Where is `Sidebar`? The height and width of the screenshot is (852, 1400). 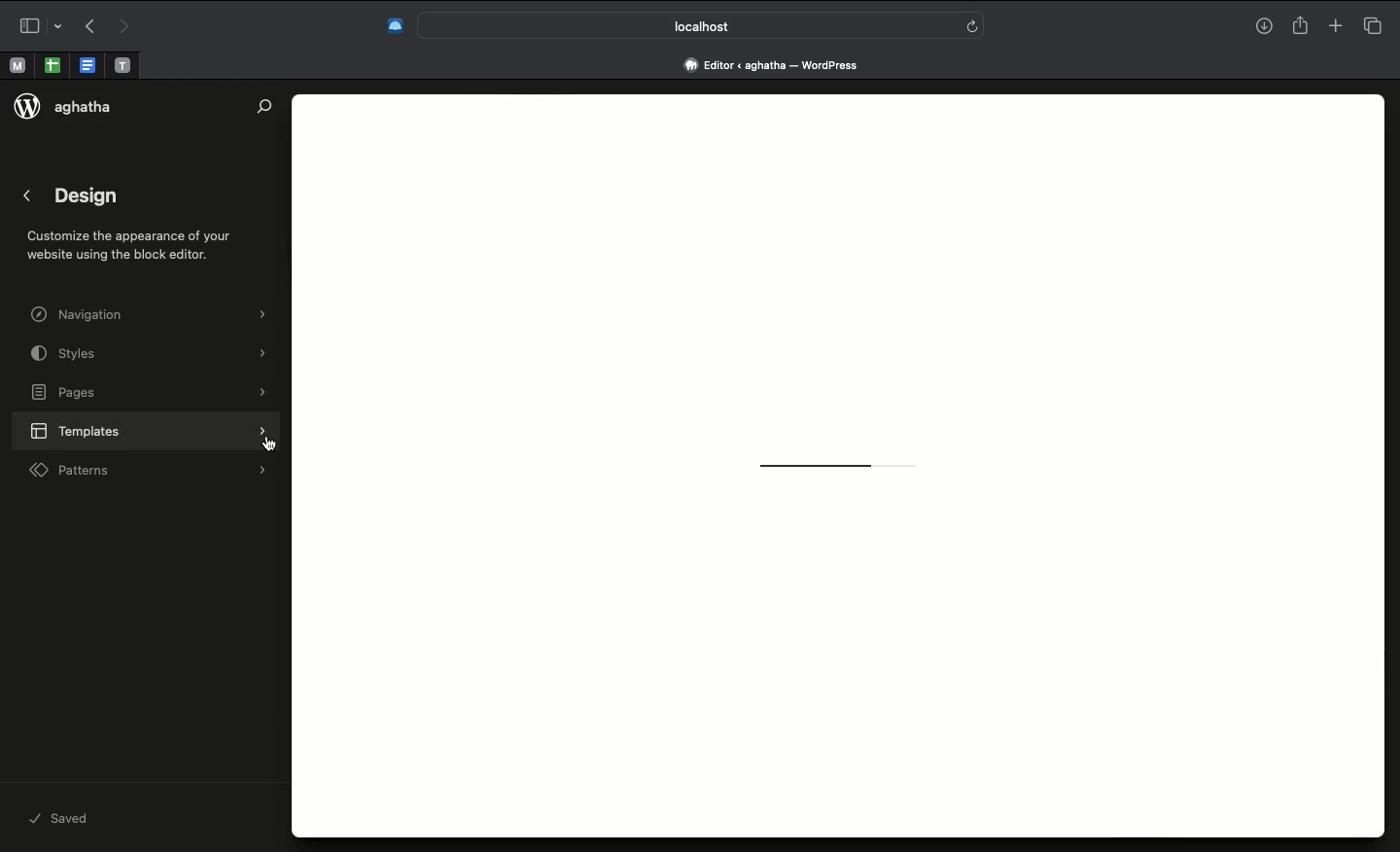
Sidebar is located at coordinates (36, 26).